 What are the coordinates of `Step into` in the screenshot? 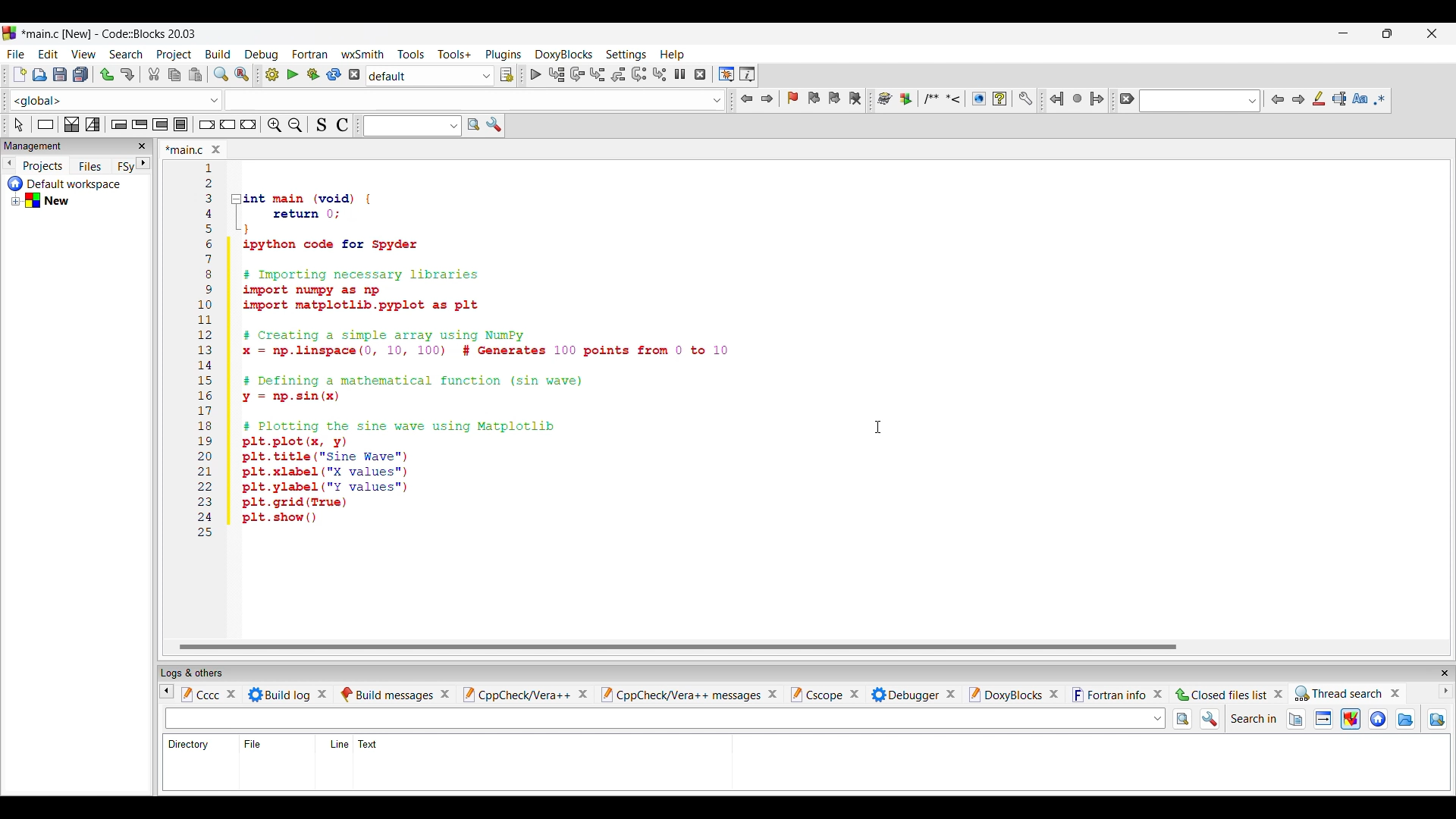 It's located at (596, 74).